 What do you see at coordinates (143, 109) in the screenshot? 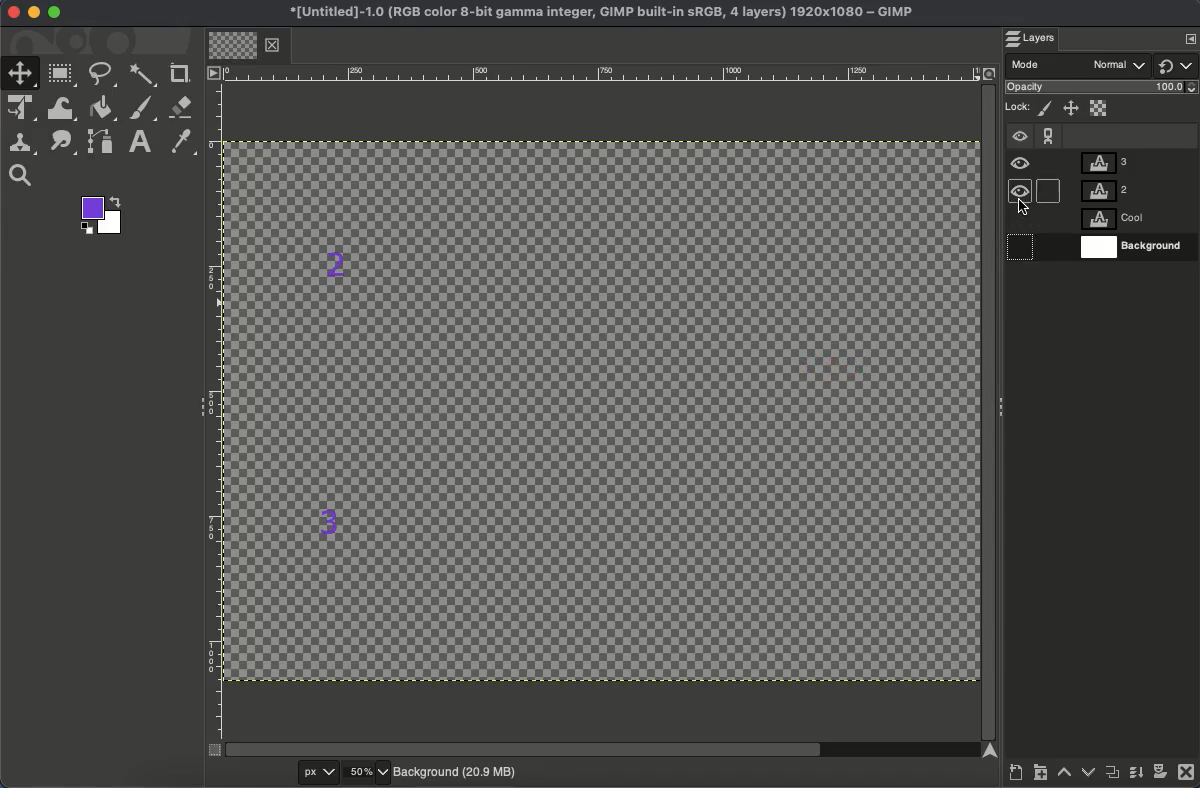
I see `Brush` at bounding box center [143, 109].